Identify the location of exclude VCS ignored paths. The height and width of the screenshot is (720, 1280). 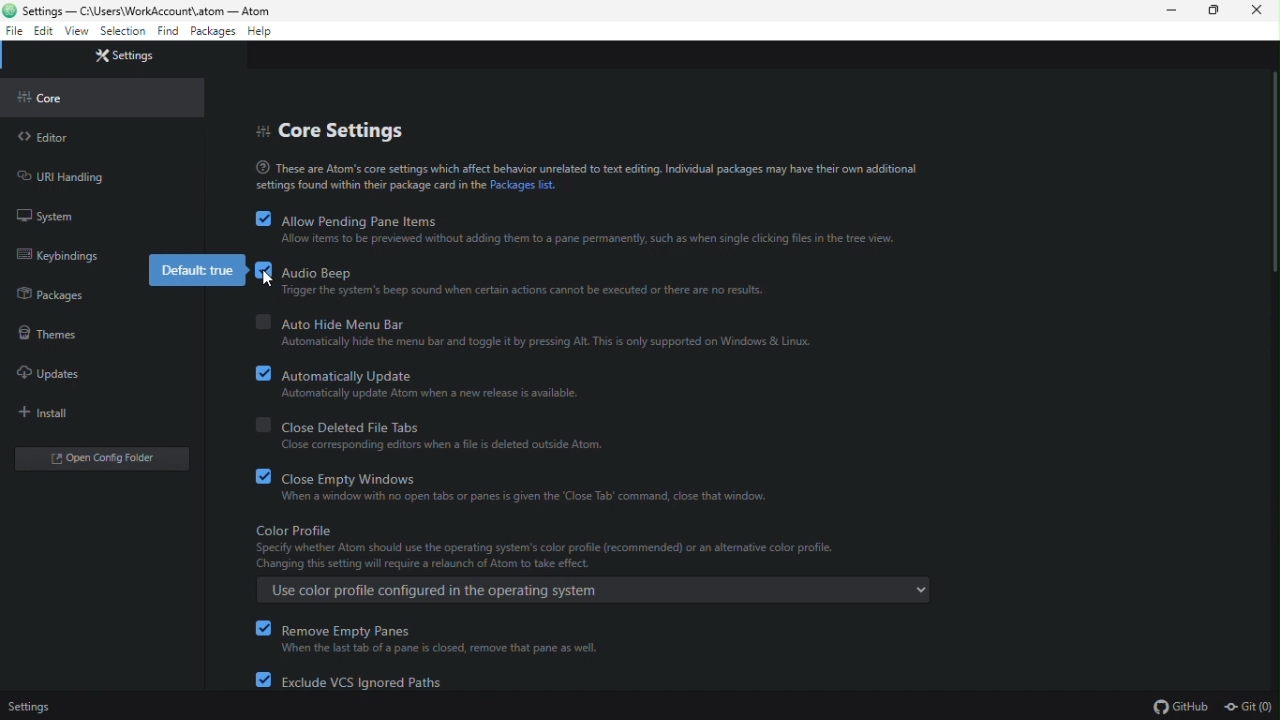
(368, 682).